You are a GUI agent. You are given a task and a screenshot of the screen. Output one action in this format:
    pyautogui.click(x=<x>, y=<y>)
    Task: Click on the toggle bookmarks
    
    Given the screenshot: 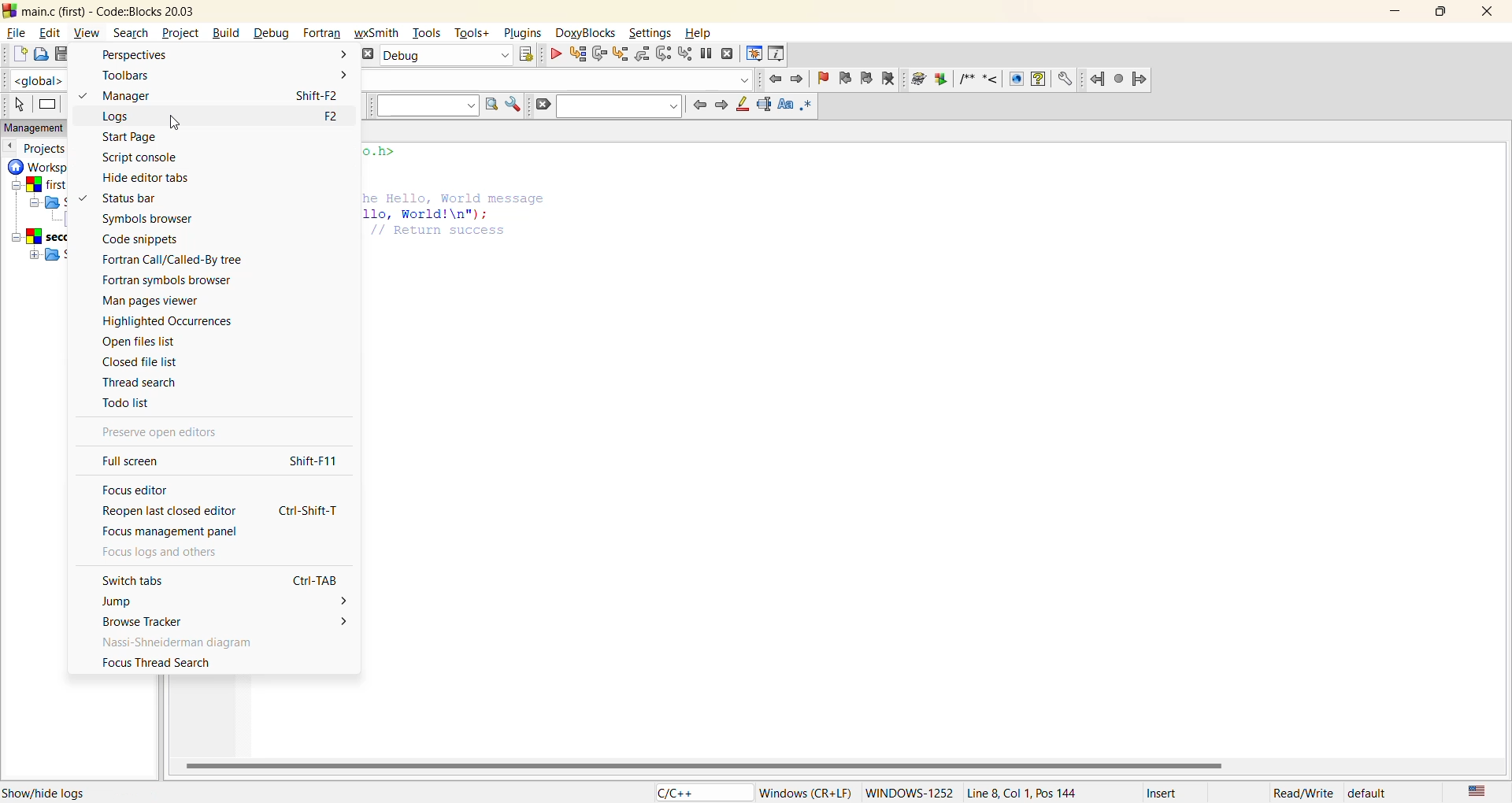 What is the action you would take?
    pyautogui.click(x=825, y=79)
    